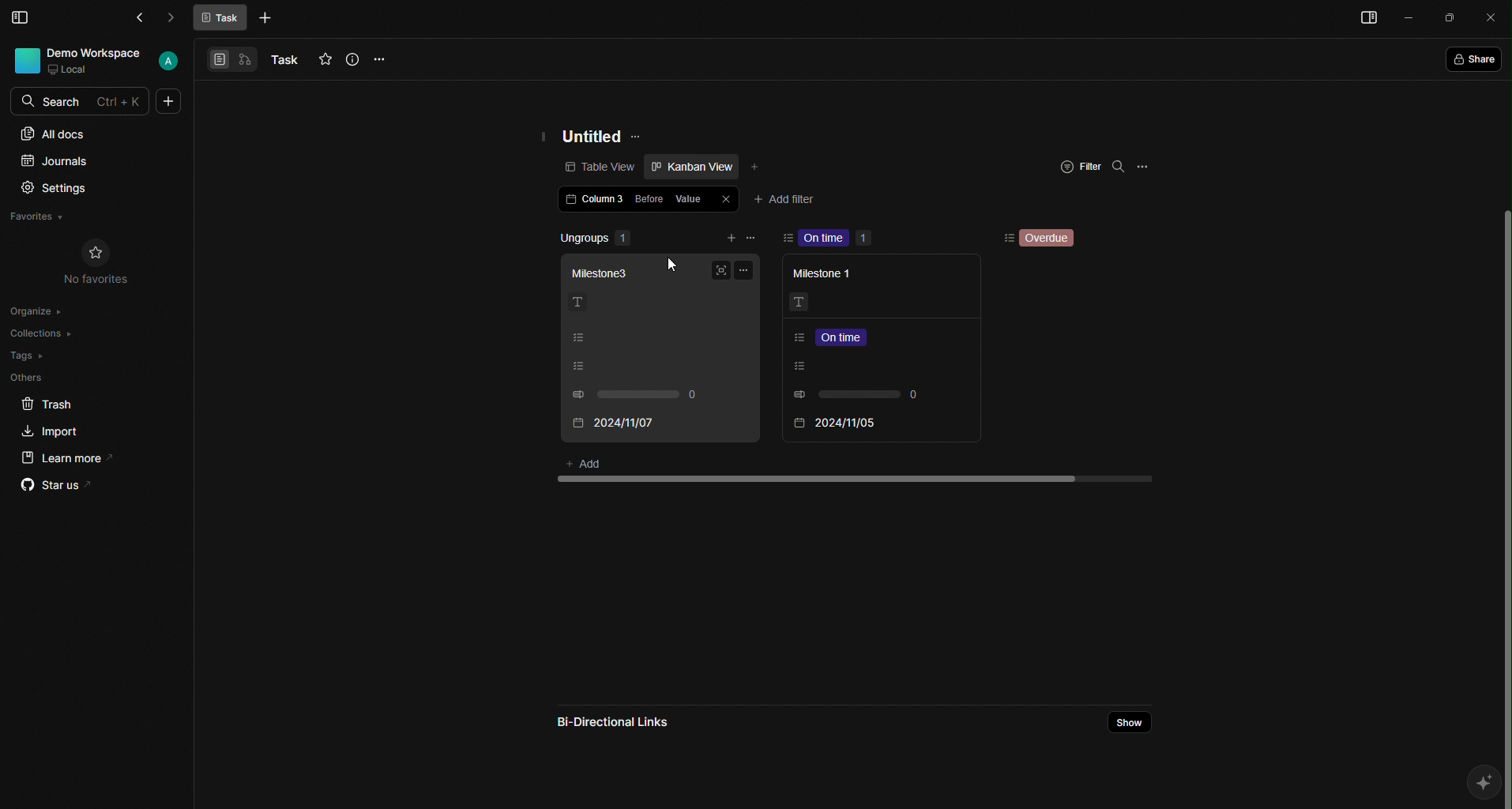 This screenshot has width=1512, height=809. What do you see at coordinates (1364, 20) in the screenshot?
I see `Menu bar` at bounding box center [1364, 20].